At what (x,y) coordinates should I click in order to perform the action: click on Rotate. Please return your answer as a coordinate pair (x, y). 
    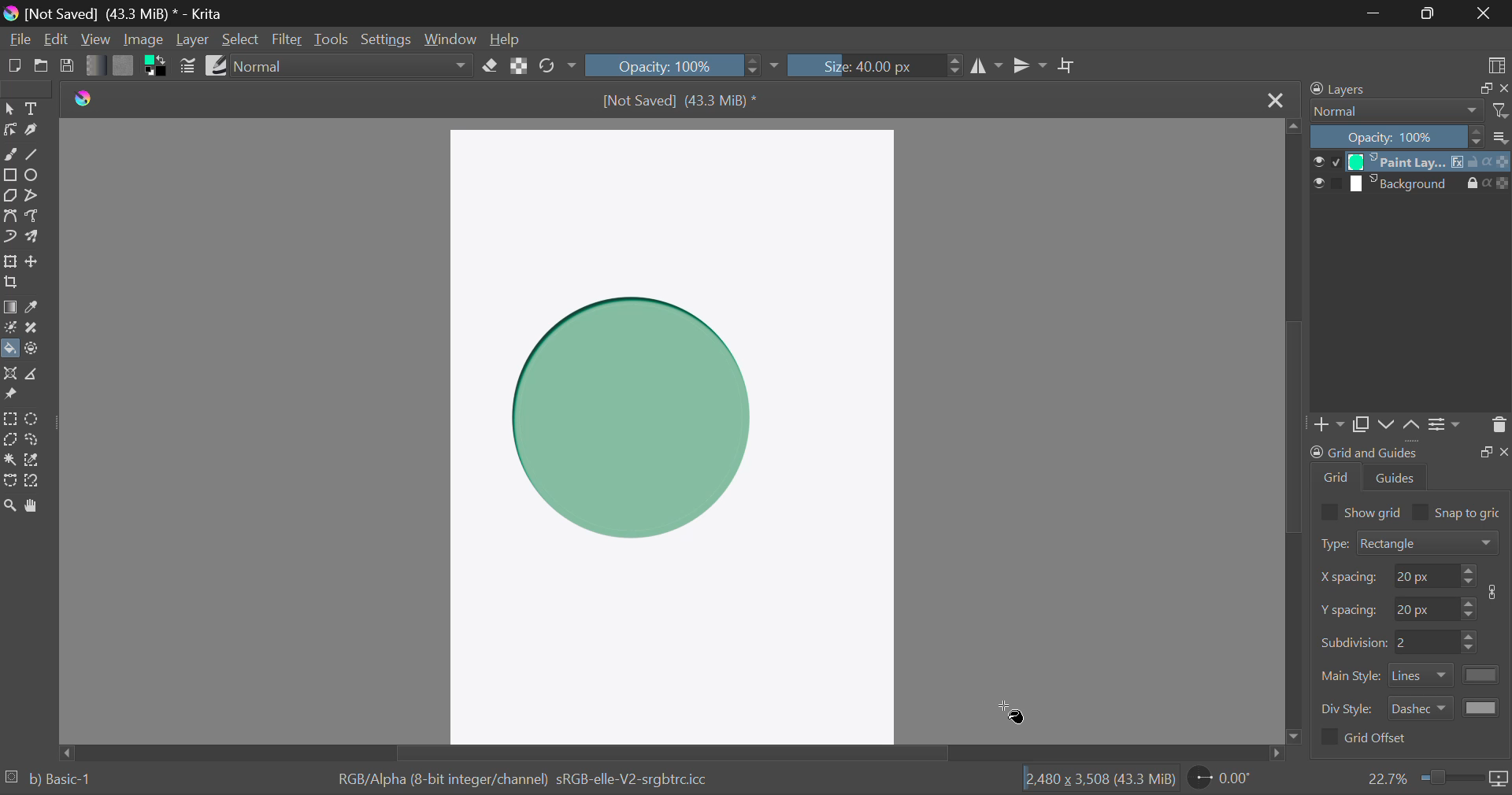
    Looking at the image, I should click on (558, 66).